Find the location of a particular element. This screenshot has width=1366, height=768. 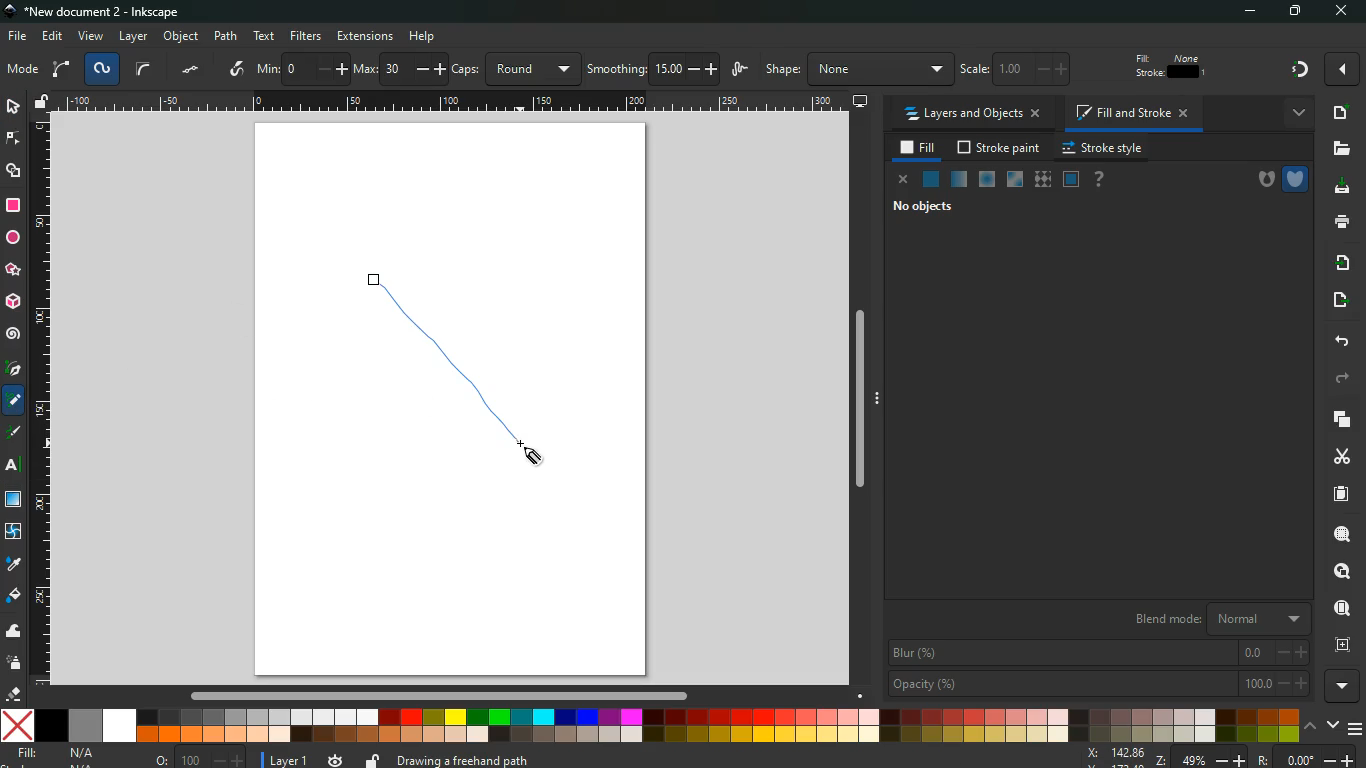

maximize is located at coordinates (1290, 11).